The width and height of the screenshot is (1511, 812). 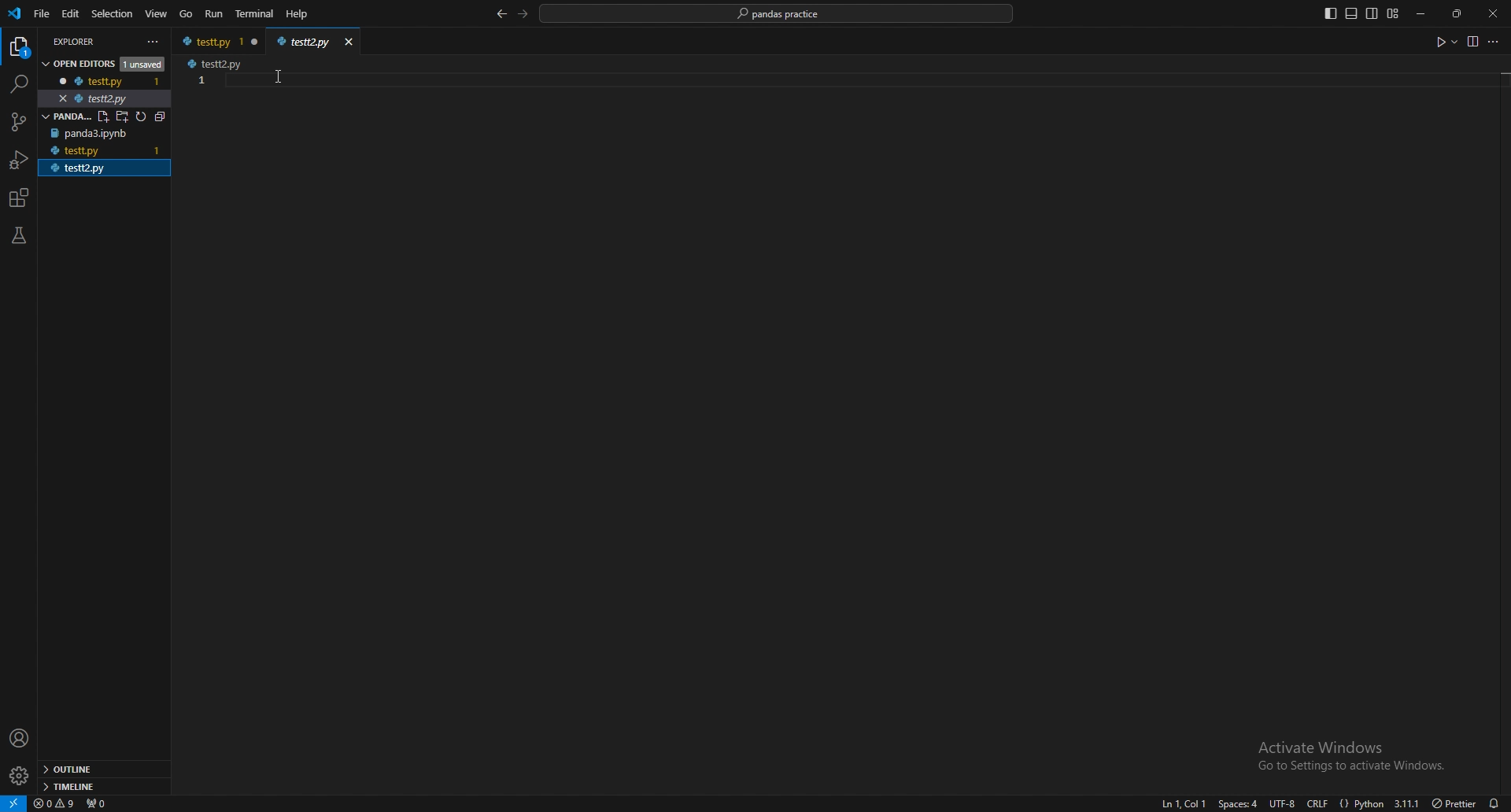 I want to click on {} Python 3.11.1, so click(x=1380, y=800).